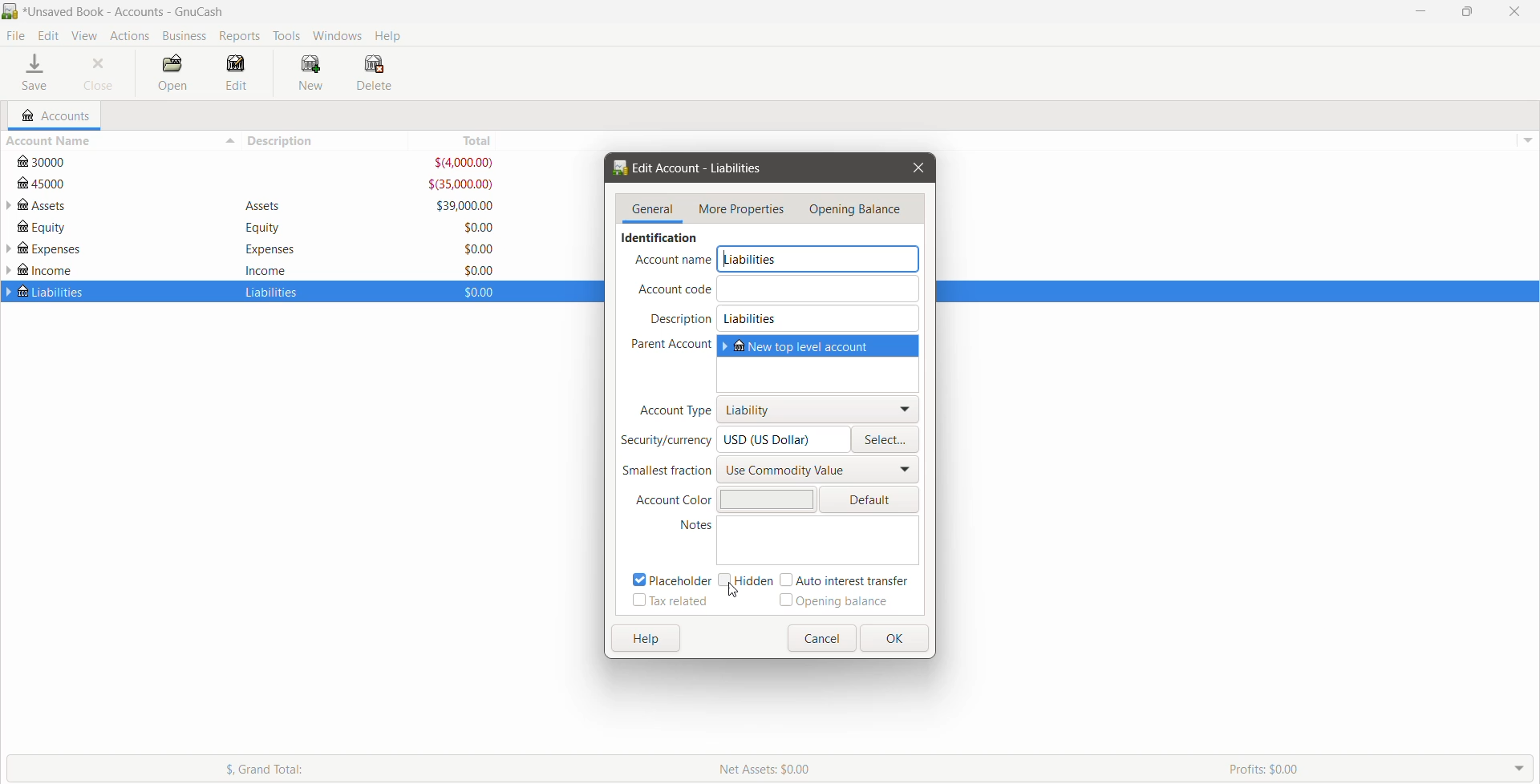  I want to click on expand subaccounts, so click(10, 270).